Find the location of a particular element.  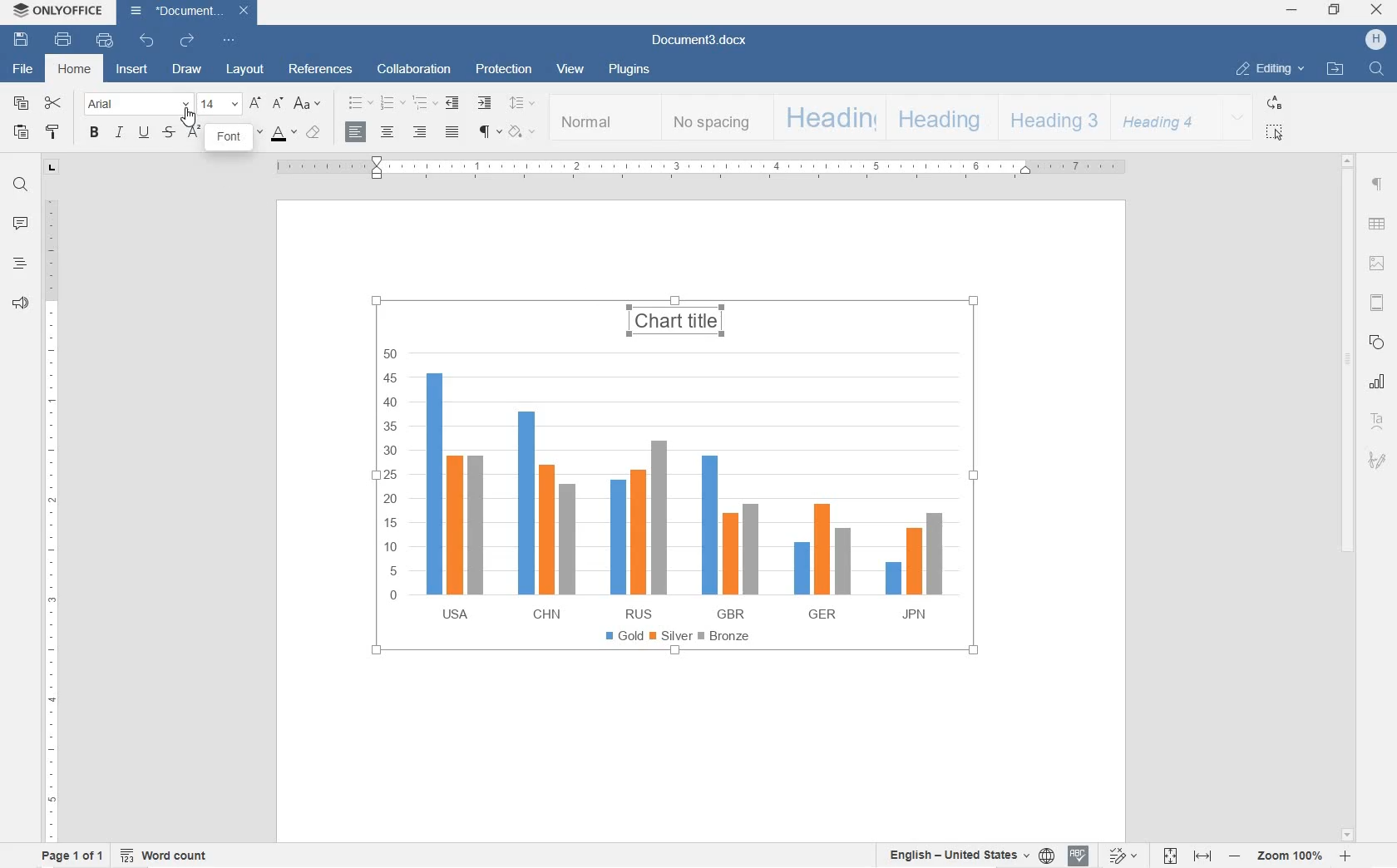

REFERENCES is located at coordinates (321, 67).